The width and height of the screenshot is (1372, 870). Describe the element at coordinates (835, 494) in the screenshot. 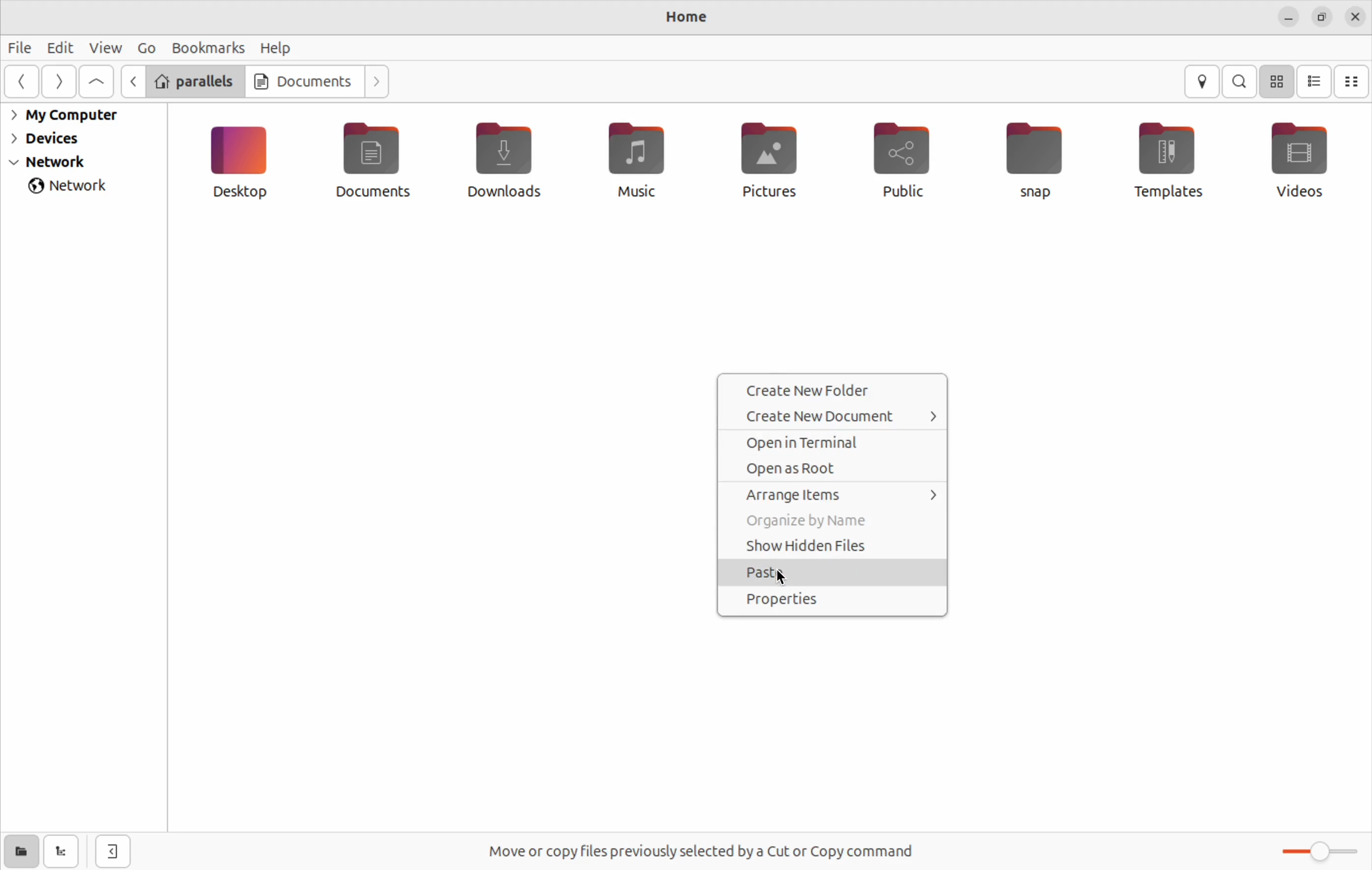

I see `arrange items` at that location.